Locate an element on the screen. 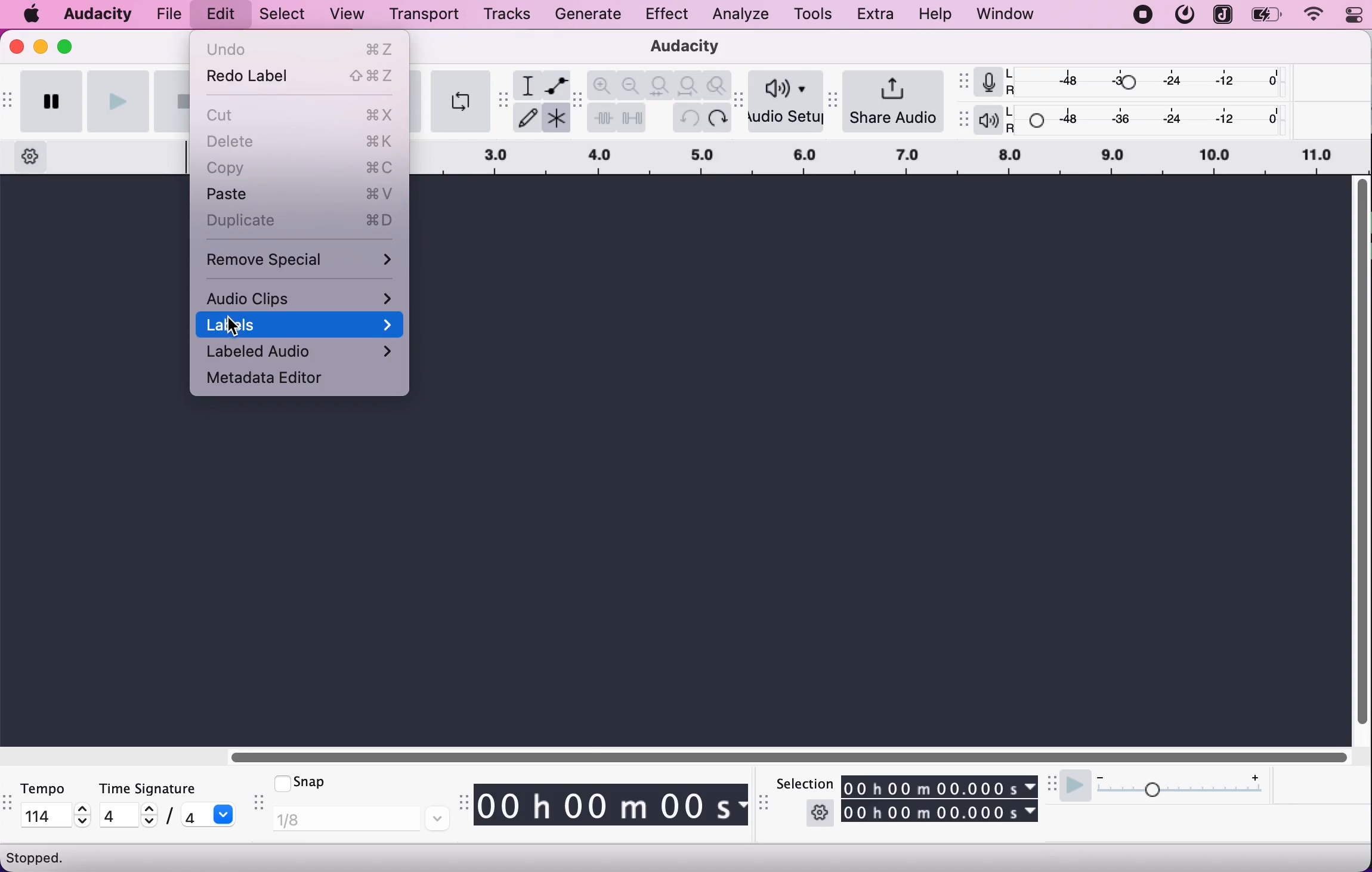 Image resolution: width=1372 pixels, height=872 pixels. play at speed is located at coordinates (1074, 787).